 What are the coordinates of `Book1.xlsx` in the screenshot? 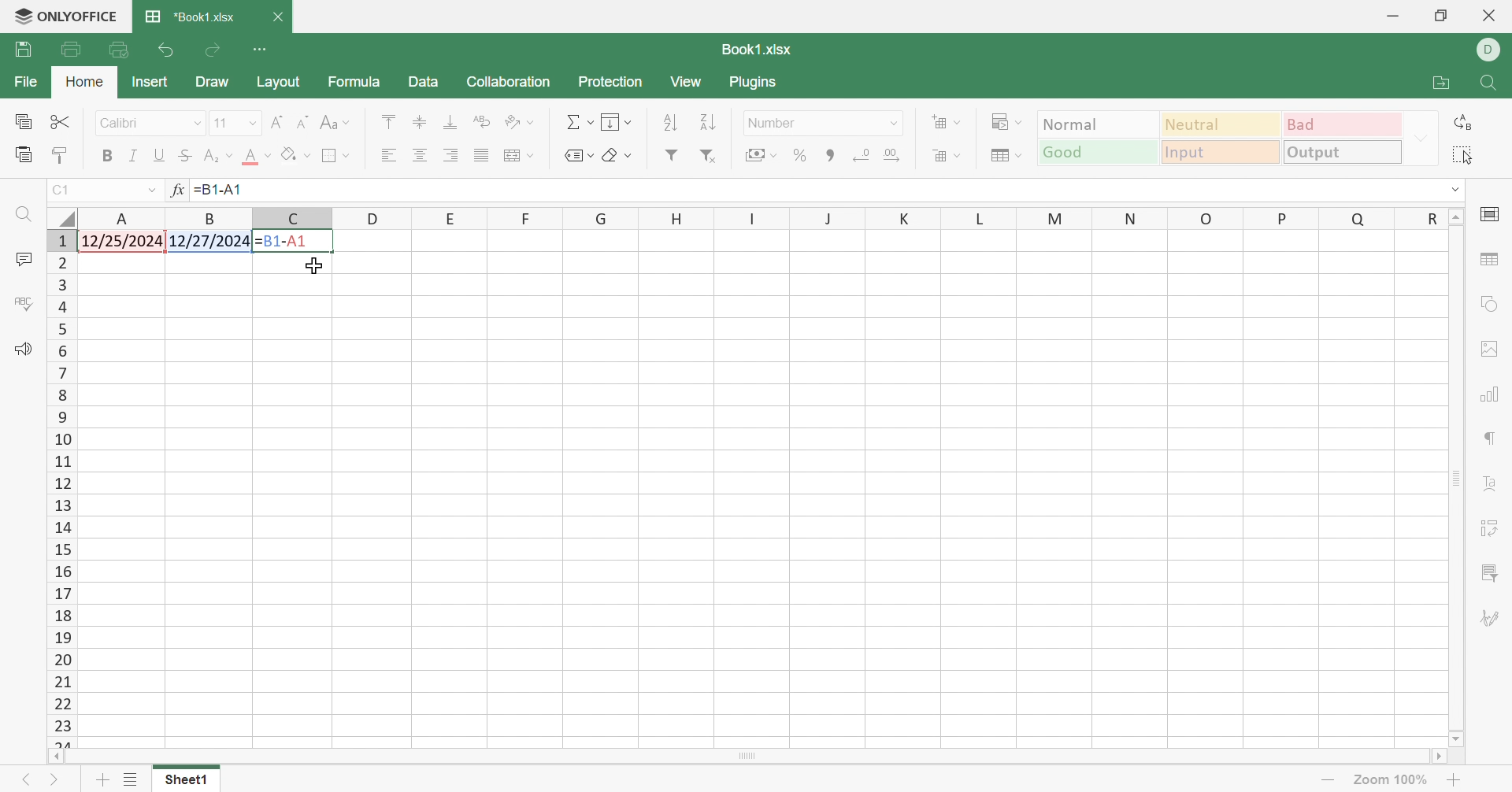 It's located at (757, 50).